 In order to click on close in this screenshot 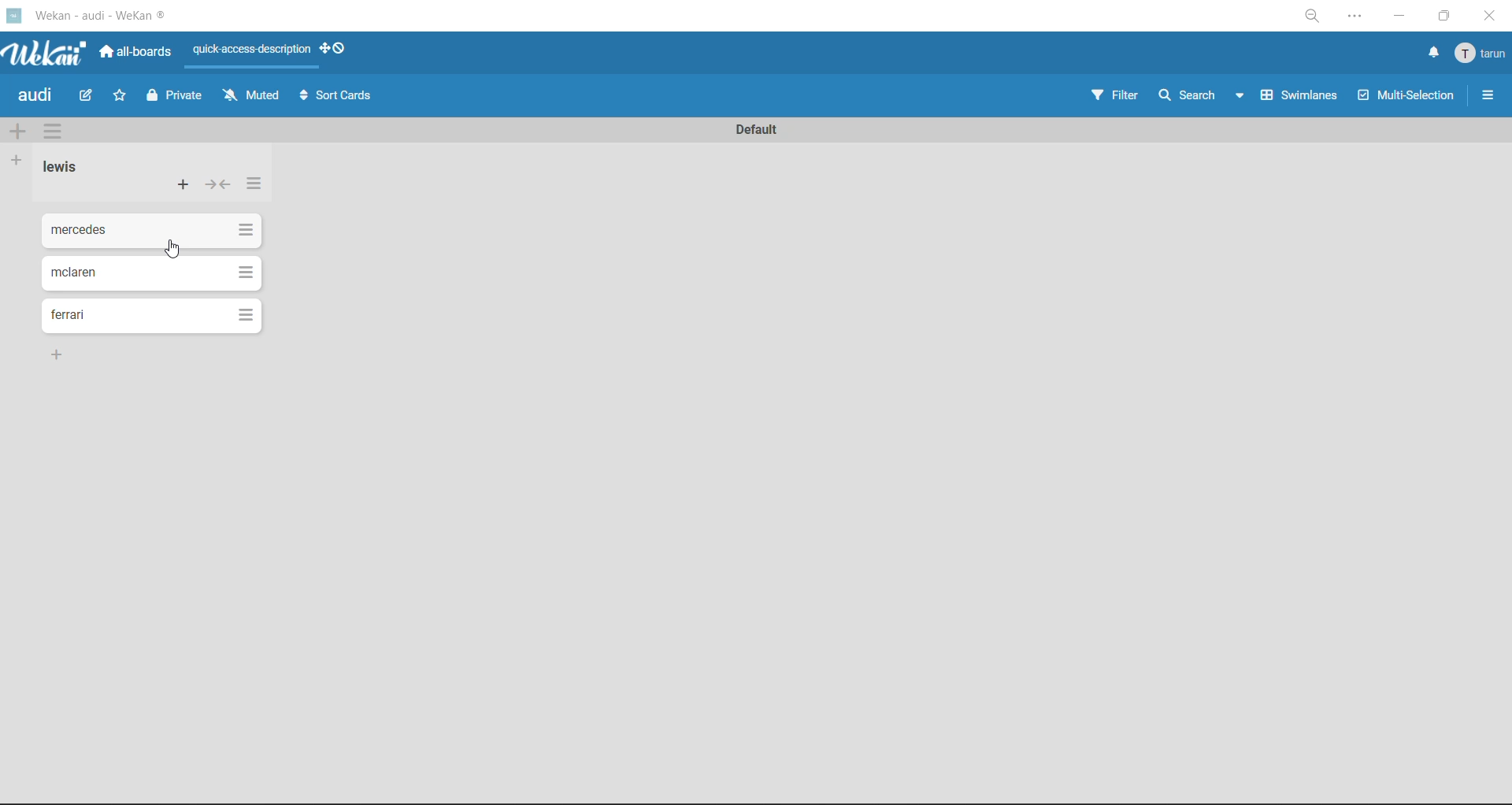, I will do `click(1488, 17)`.